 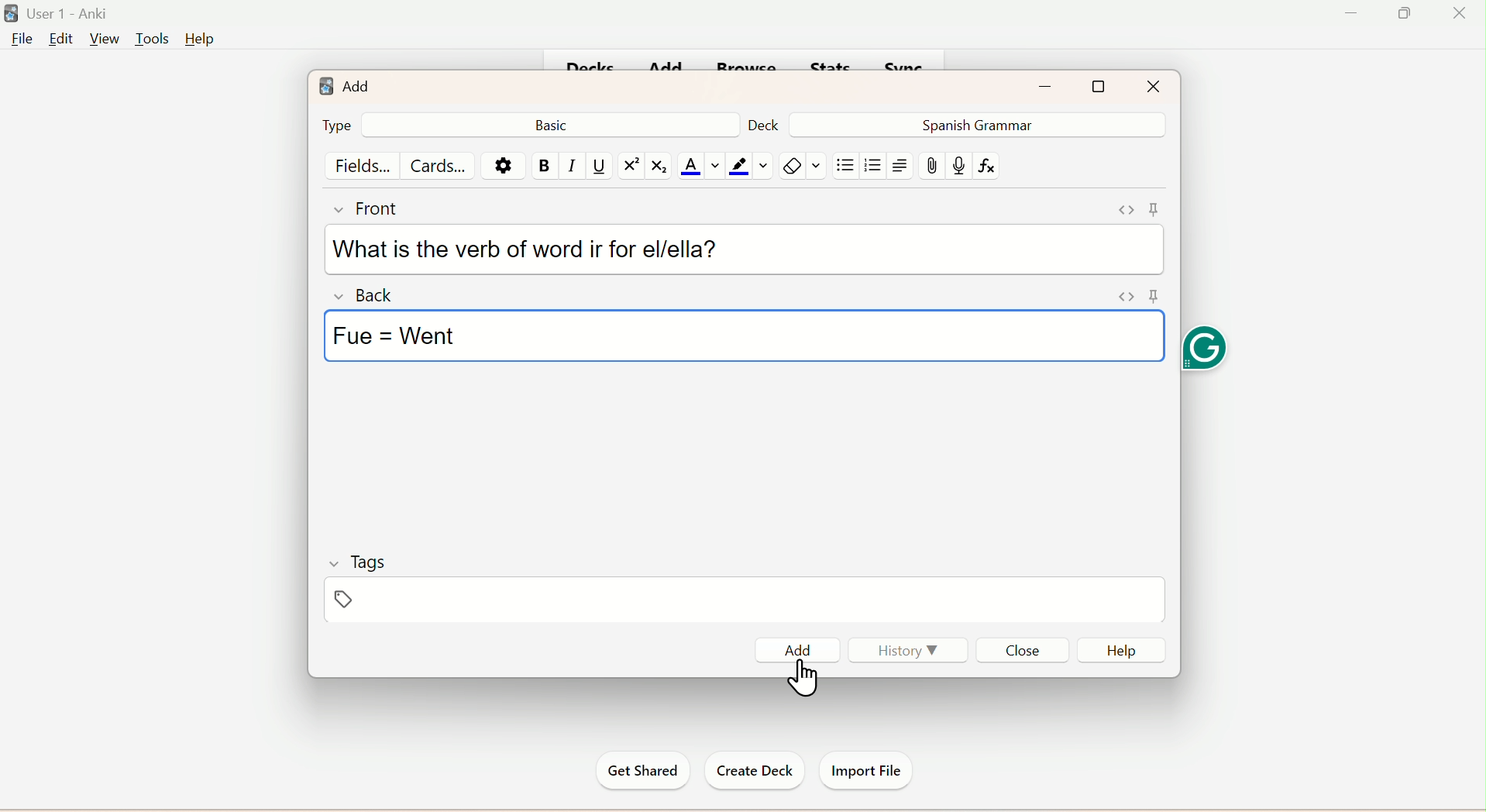 I want to click on Get Started, so click(x=645, y=771).